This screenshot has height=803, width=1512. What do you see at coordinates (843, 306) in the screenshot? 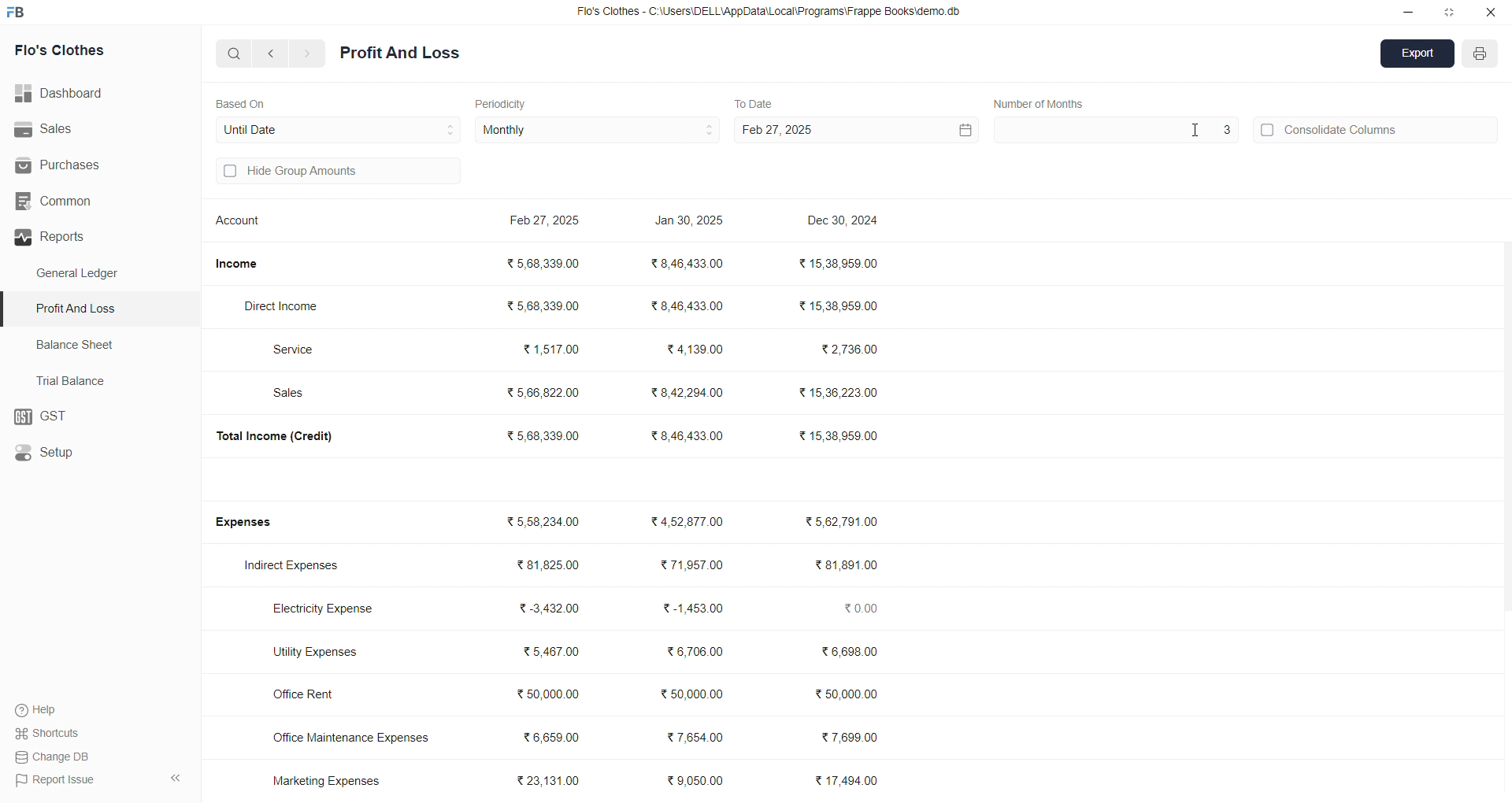
I see `₹15,38,959.00` at bounding box center [843, 306].